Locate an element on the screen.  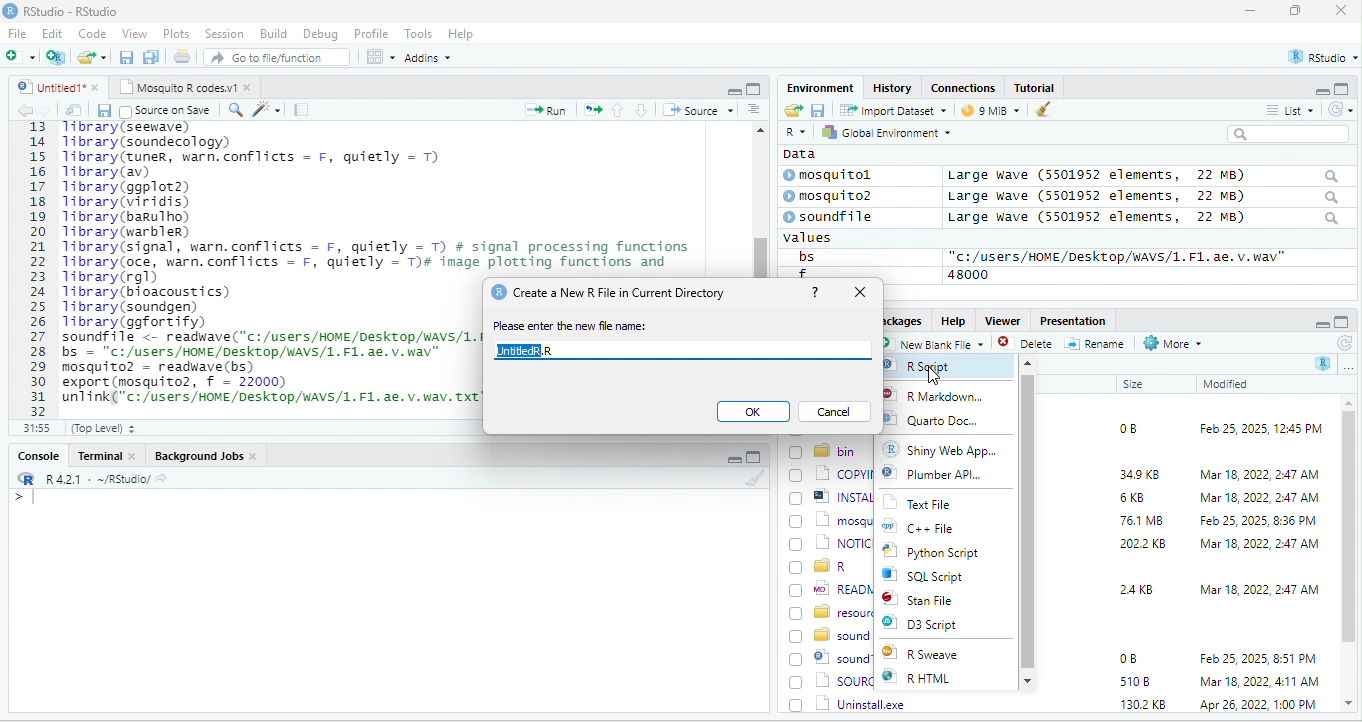
BD resources is located at coordinates (830, 610).